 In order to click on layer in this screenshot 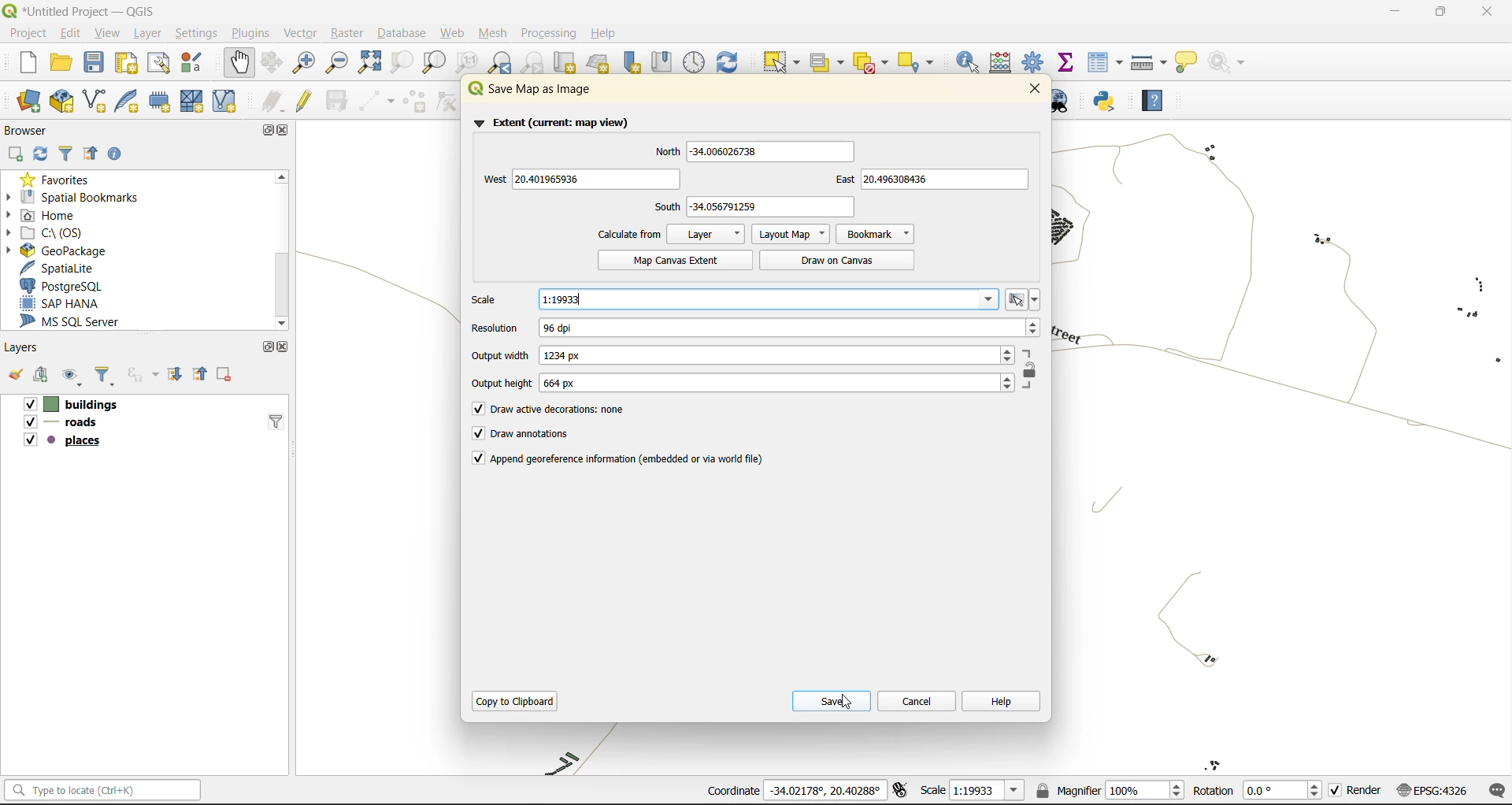, I will do `click(707, 235)`.